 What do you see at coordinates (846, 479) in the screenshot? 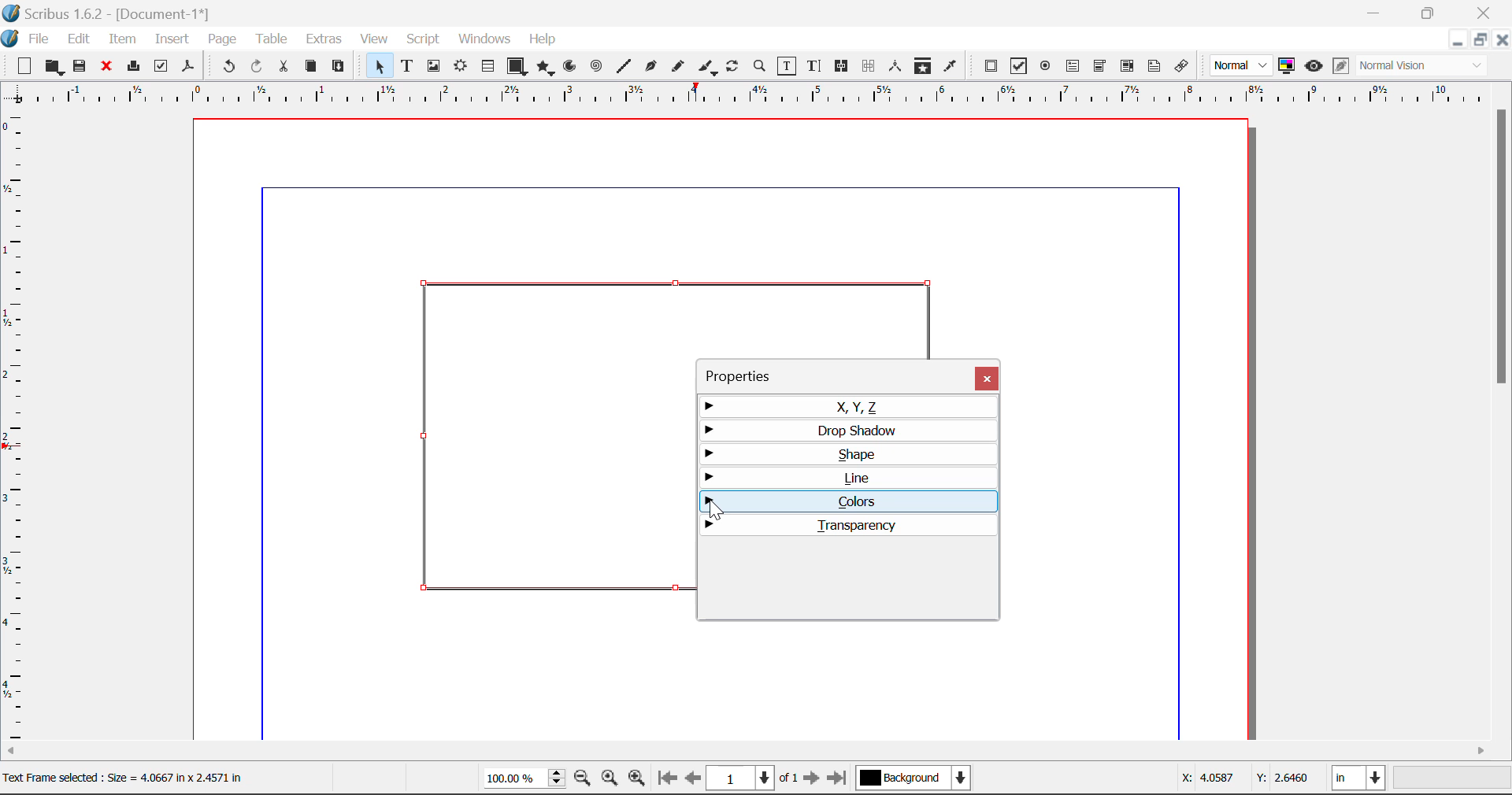
I see `Line` at bounding box center [846, 479].